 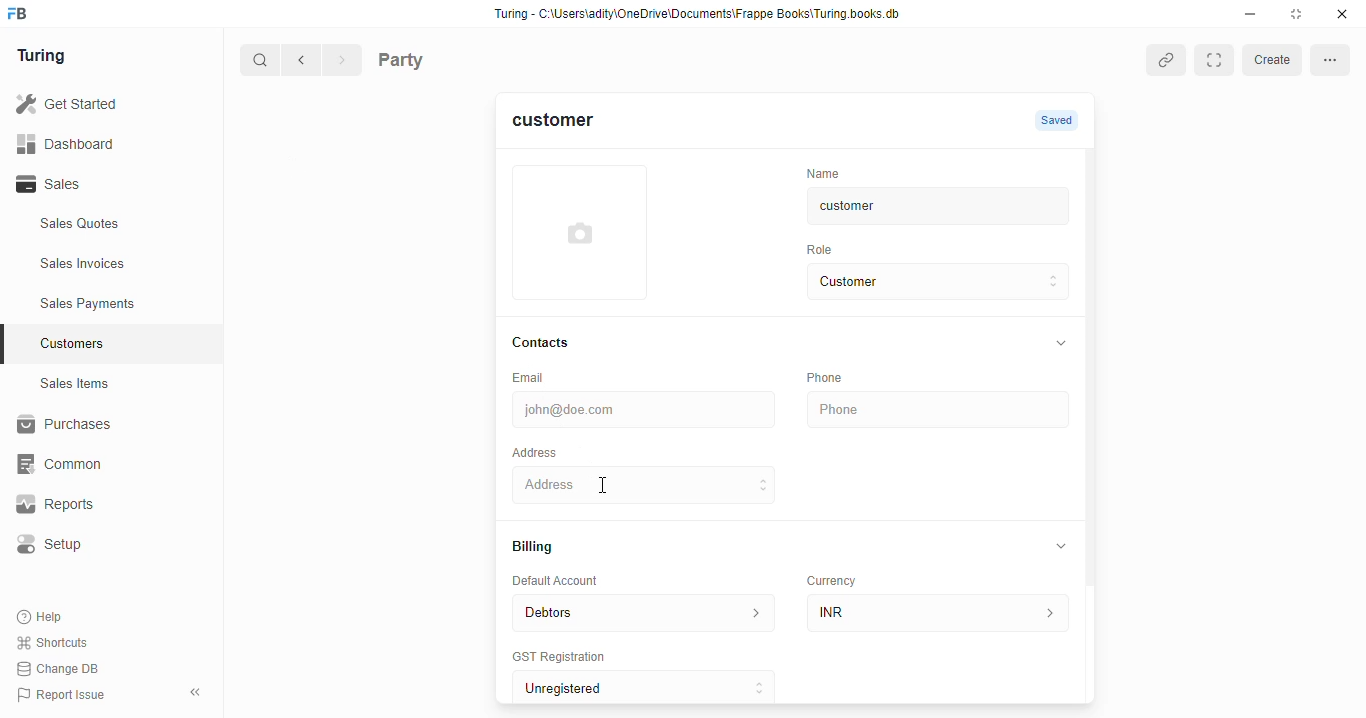 What do you see at coordinates (62, 668) in the screenshot?
I see `Change DB` at bounding box center [62, 668].